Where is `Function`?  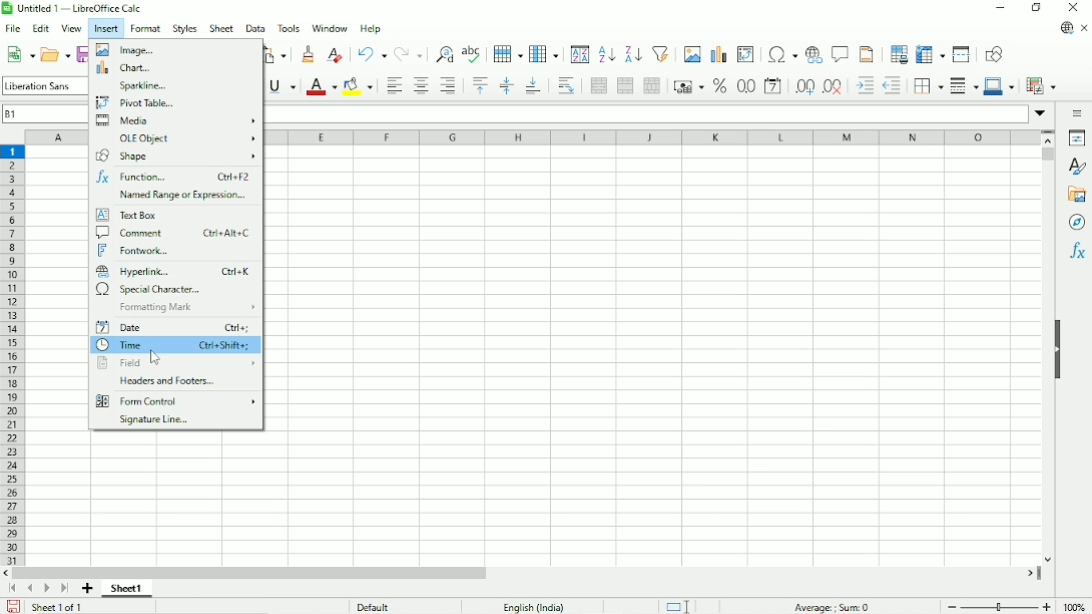 Function is located at coordinates (175, 176).